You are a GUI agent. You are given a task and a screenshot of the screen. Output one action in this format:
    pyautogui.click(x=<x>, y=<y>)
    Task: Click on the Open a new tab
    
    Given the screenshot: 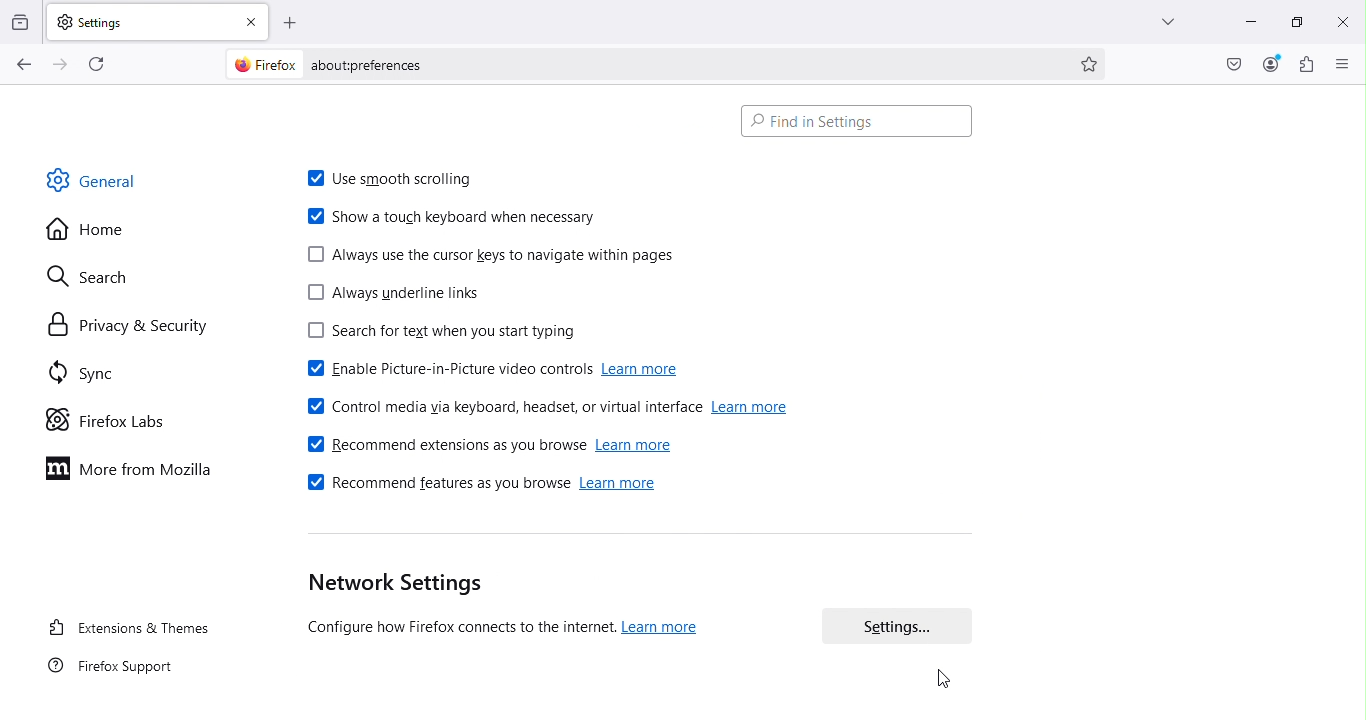 What is the action you would take?
    pyautogui.click(x=291, y=20)
    